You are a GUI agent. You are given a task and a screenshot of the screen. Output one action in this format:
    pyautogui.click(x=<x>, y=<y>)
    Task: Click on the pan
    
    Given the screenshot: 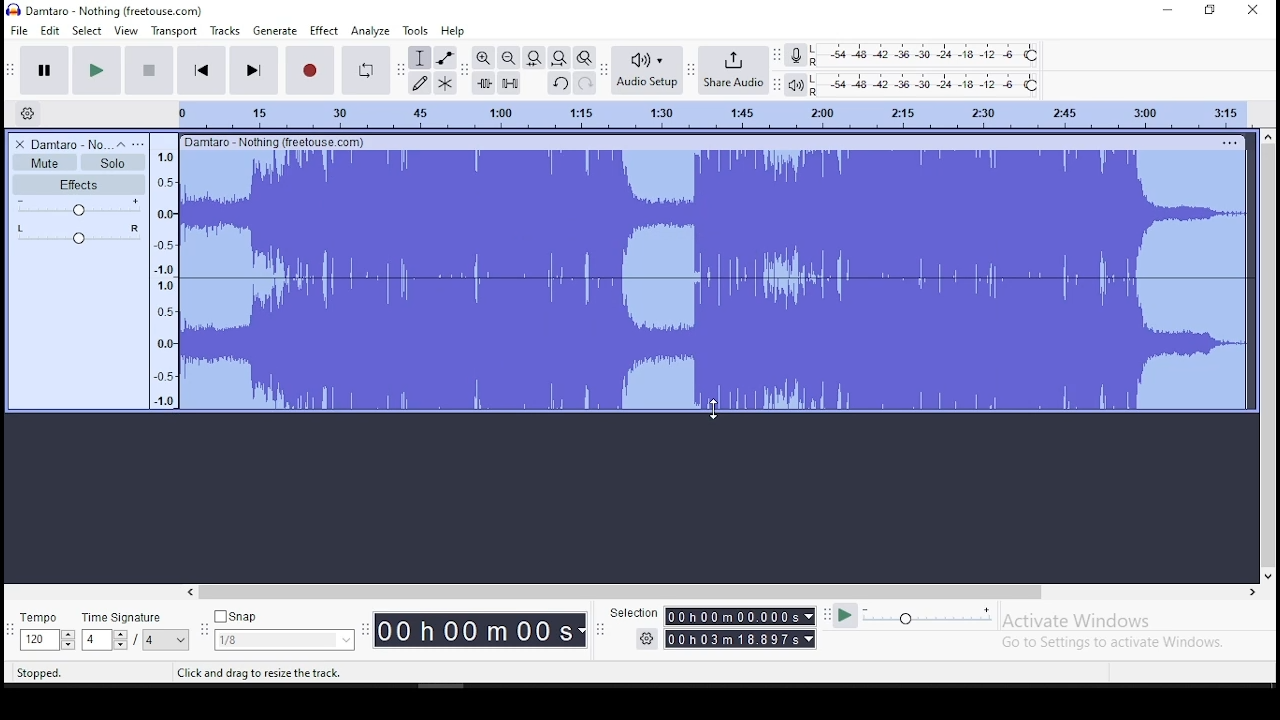 What is the action you would take?
    pyautogui.click(x=78, y=233)
    